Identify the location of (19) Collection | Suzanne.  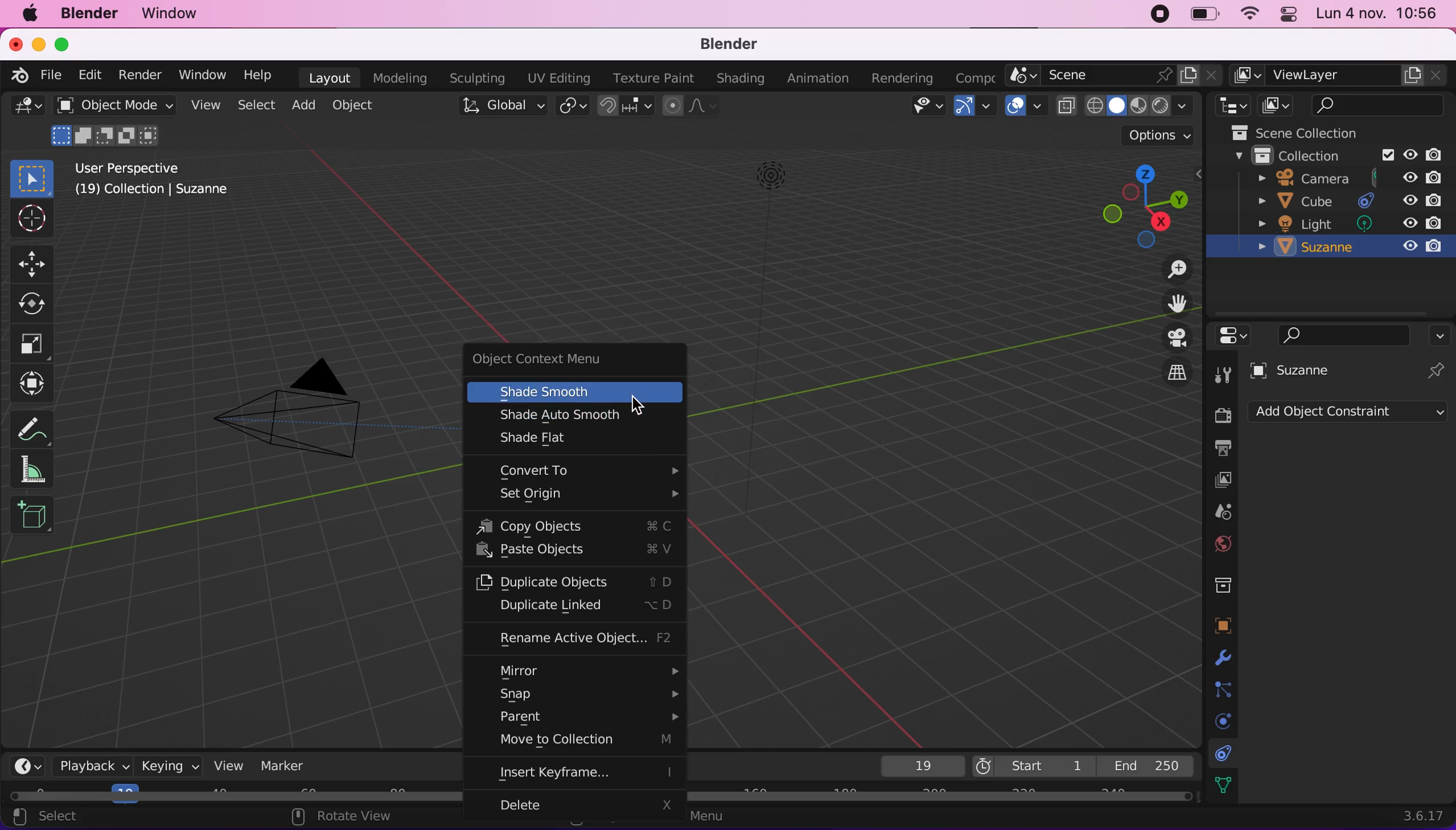
(153, 193).